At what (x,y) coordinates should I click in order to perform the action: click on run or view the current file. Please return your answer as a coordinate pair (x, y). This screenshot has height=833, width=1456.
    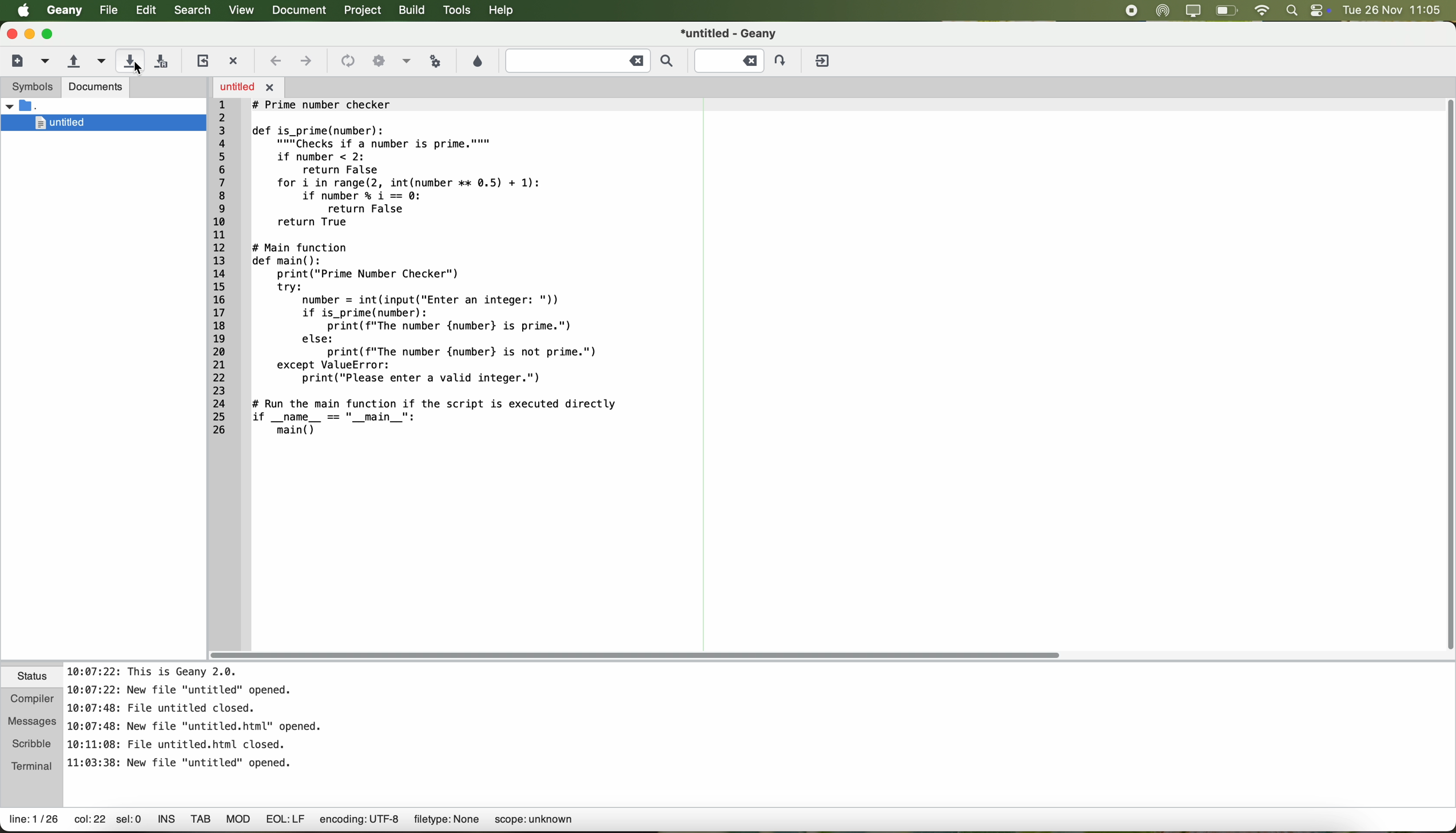
    Looking at the image, I should click on (437, 61).